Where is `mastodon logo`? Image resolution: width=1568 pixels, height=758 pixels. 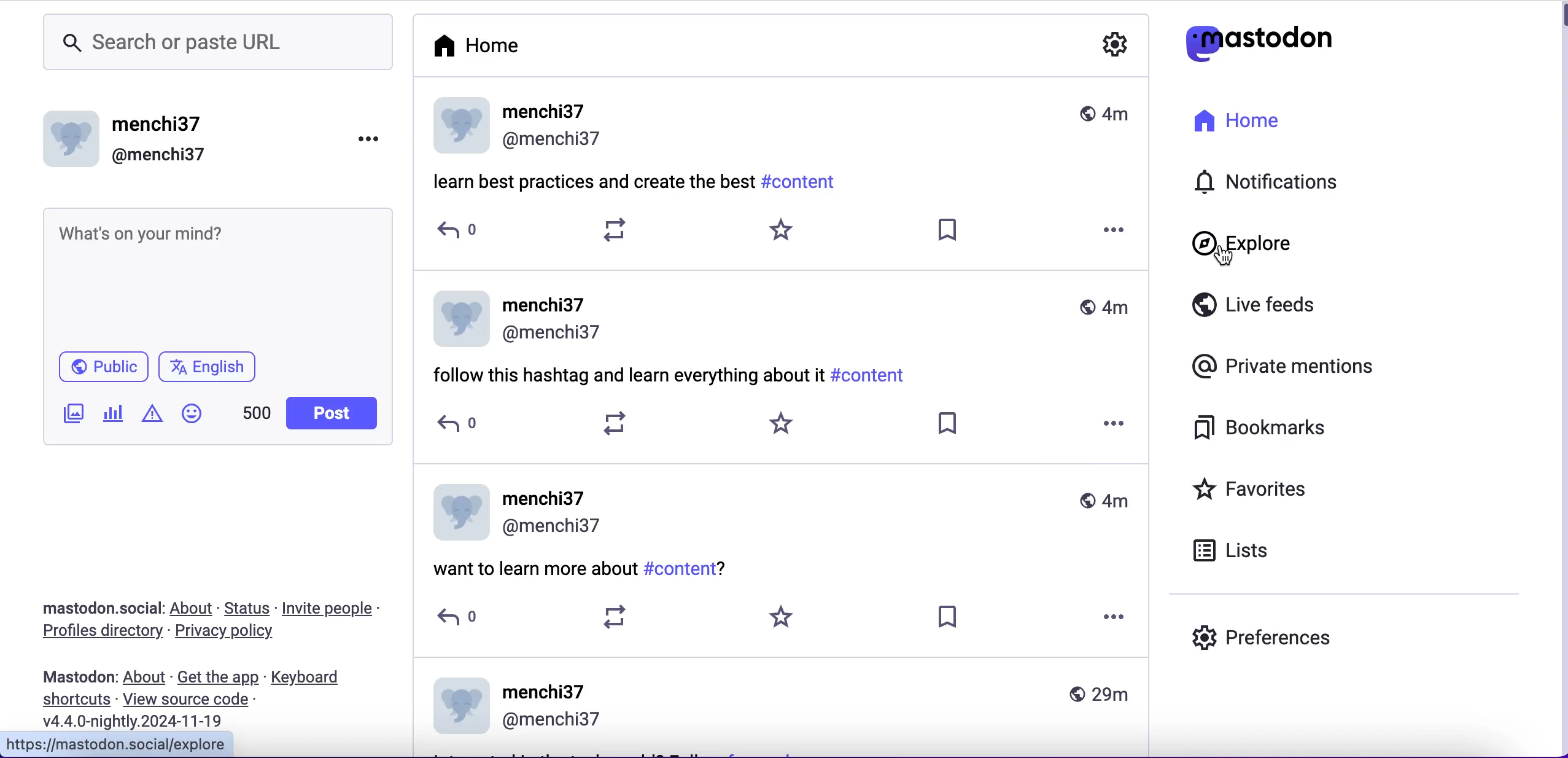
mastodon logo is located at coordinates (1256, 40).